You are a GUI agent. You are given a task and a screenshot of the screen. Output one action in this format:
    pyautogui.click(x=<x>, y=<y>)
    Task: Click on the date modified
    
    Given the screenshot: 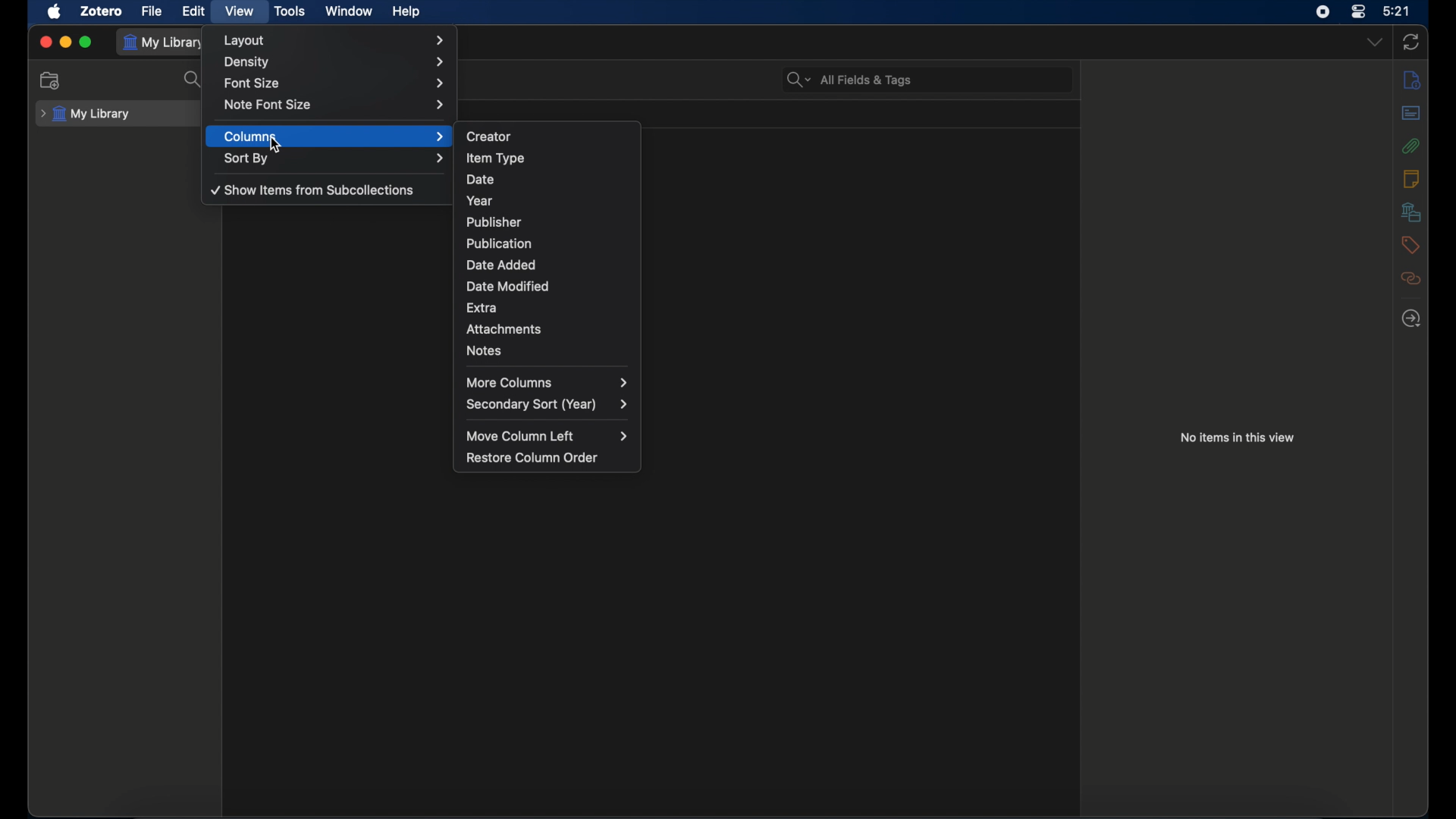 What is the action you would take?
    pyautogui.click(x=550, y=263)
    